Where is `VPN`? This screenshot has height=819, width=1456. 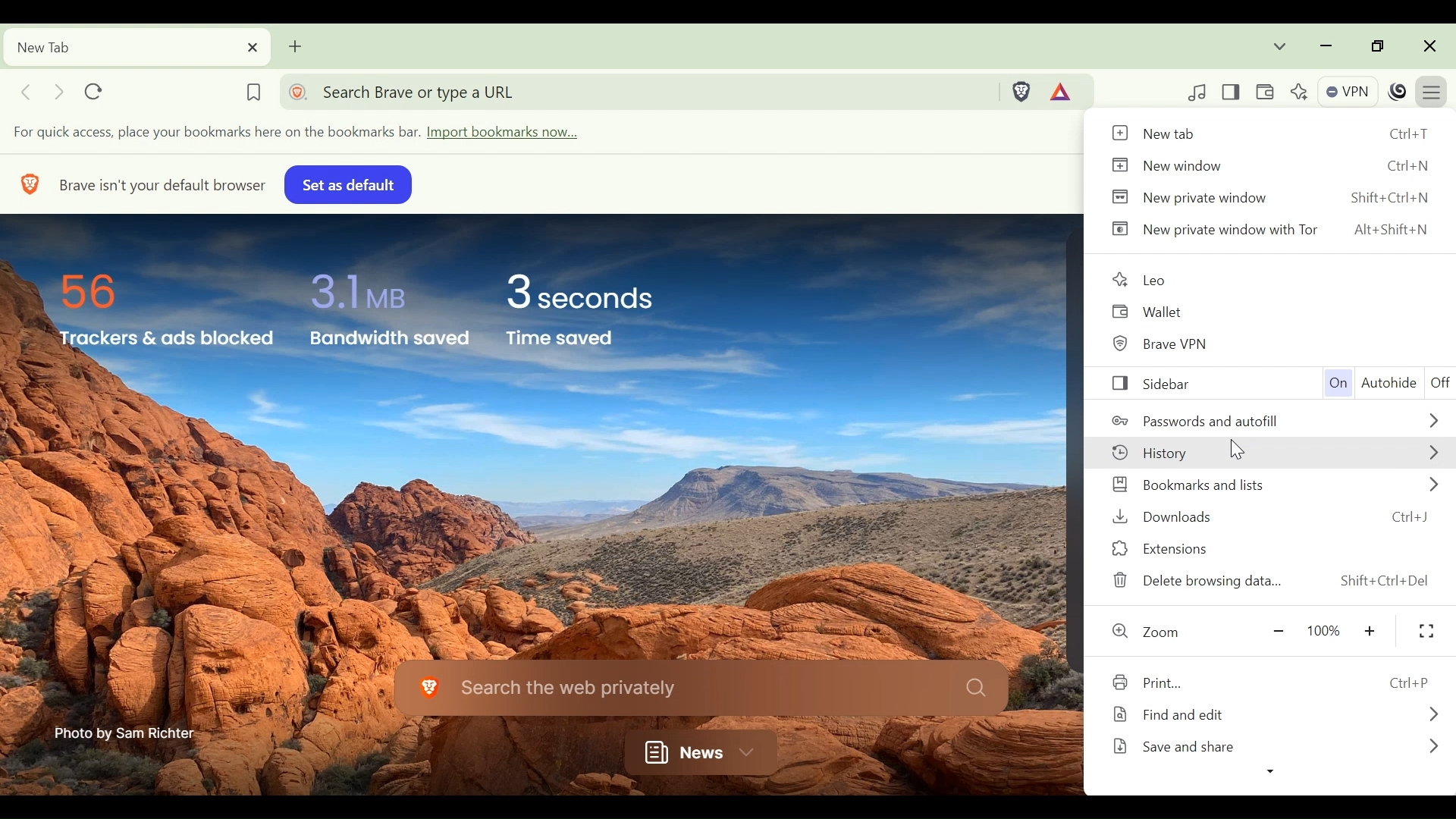 VPN is located at coordinates (1346, 89).